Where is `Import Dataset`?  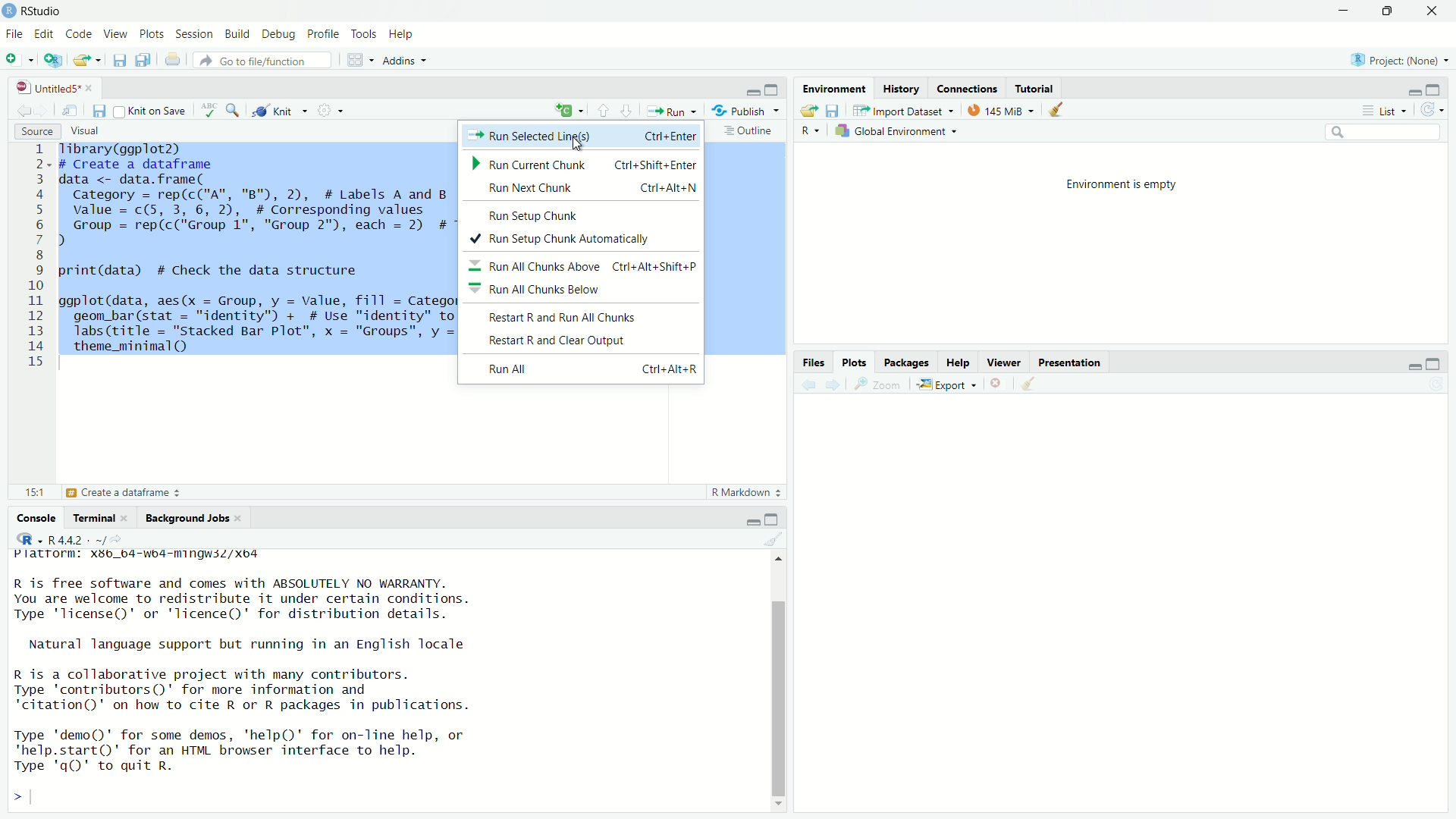 Import Dataset is located at coordinates (904, 110).